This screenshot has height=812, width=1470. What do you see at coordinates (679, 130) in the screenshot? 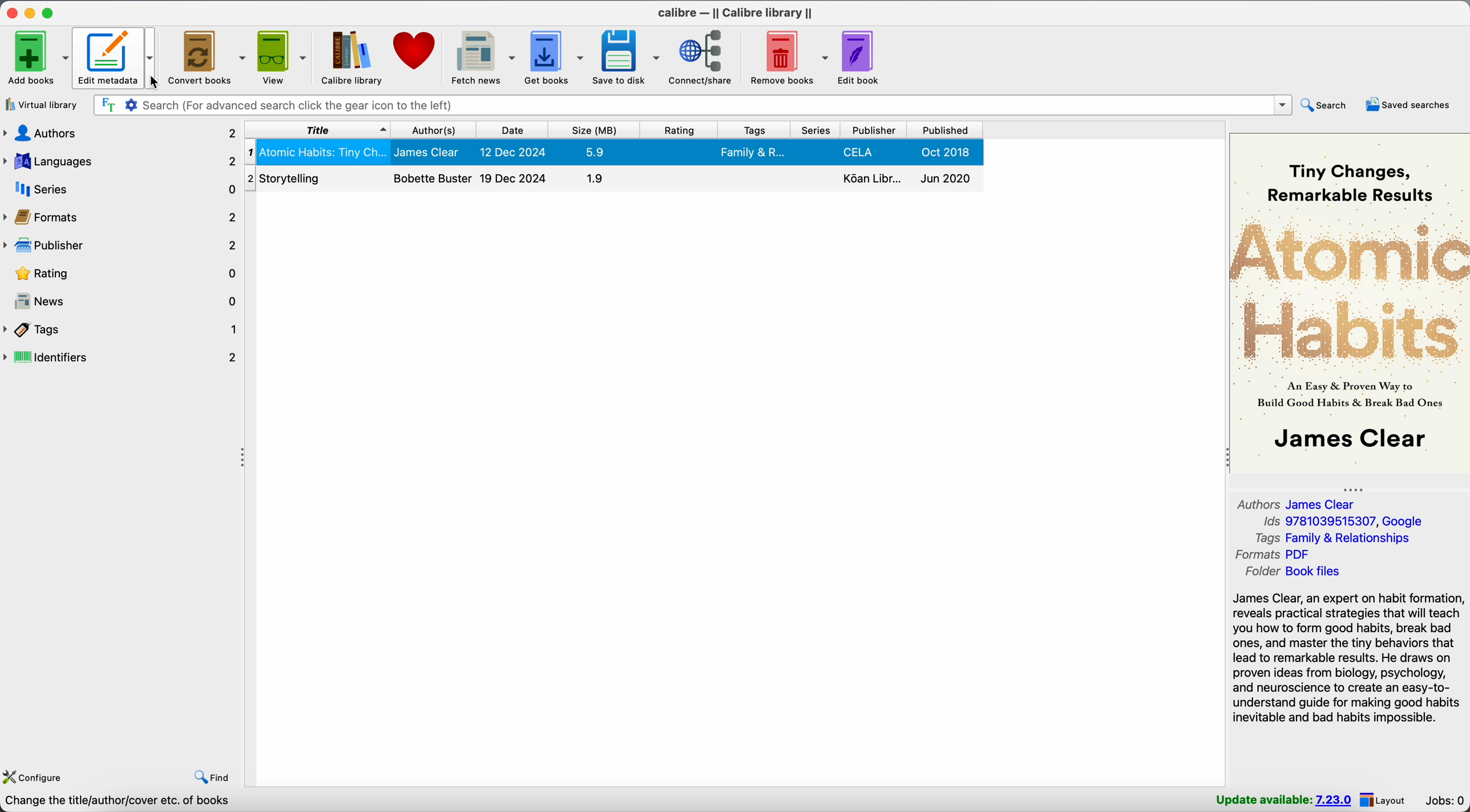
I see `rating` at bounding box center [679, 130].